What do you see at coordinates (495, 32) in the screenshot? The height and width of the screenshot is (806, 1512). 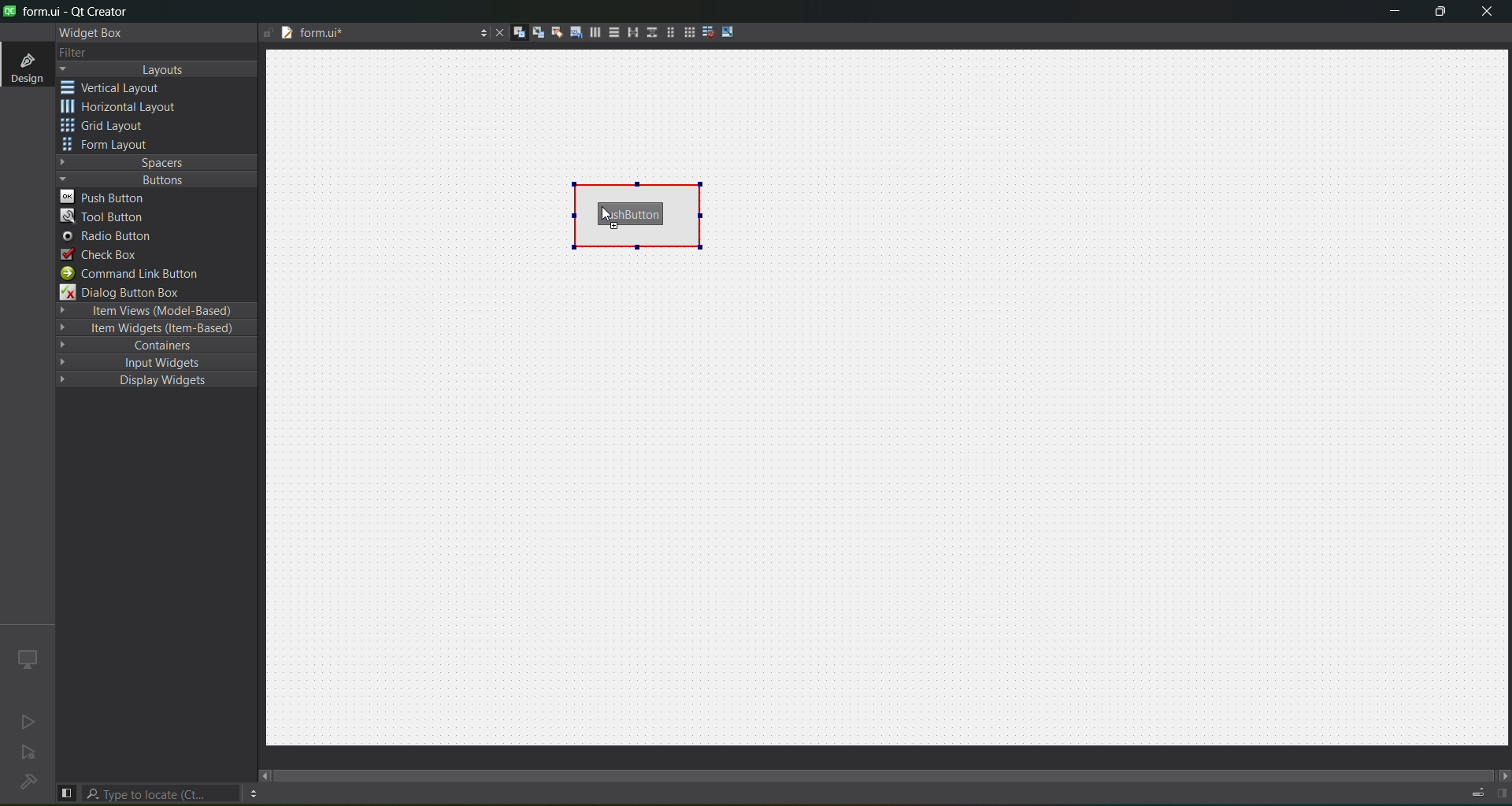 I see `close tab` at bounding box center [495, 32].